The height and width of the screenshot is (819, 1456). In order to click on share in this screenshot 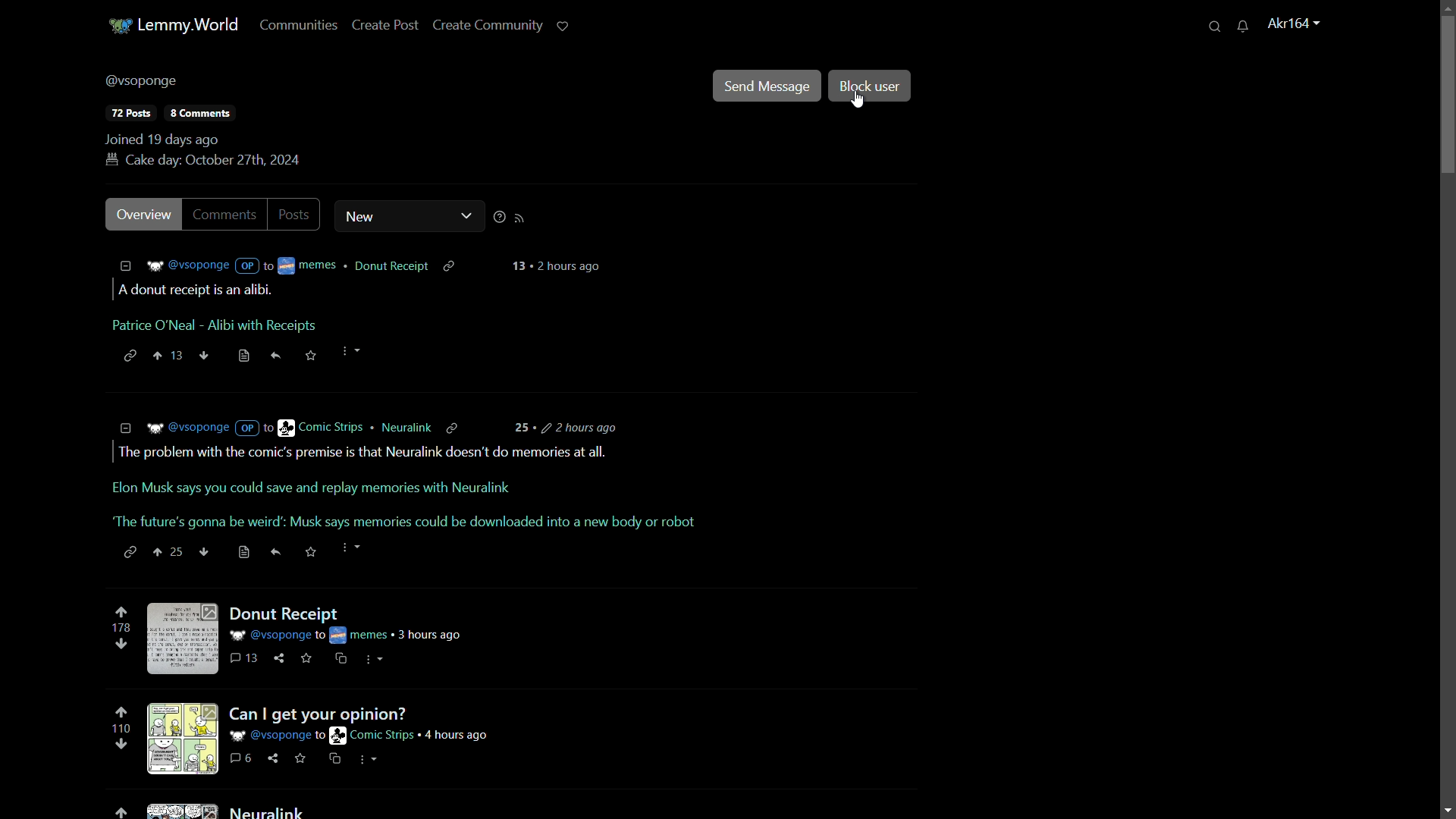, I will do `click(273, 355)`.